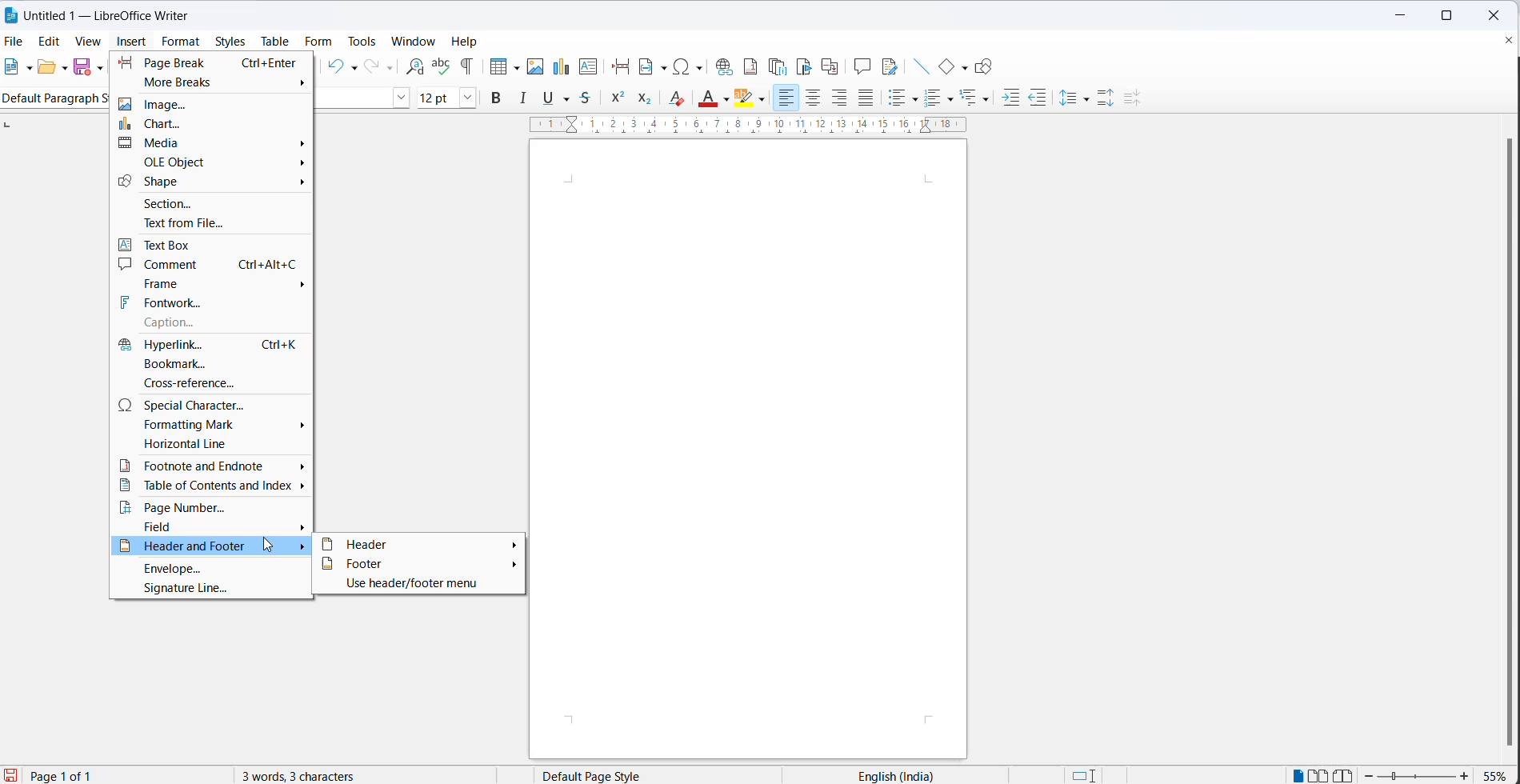 This screenshot has height=784, width=1520. I want to click on zoom percentage, so click(1498, 774).